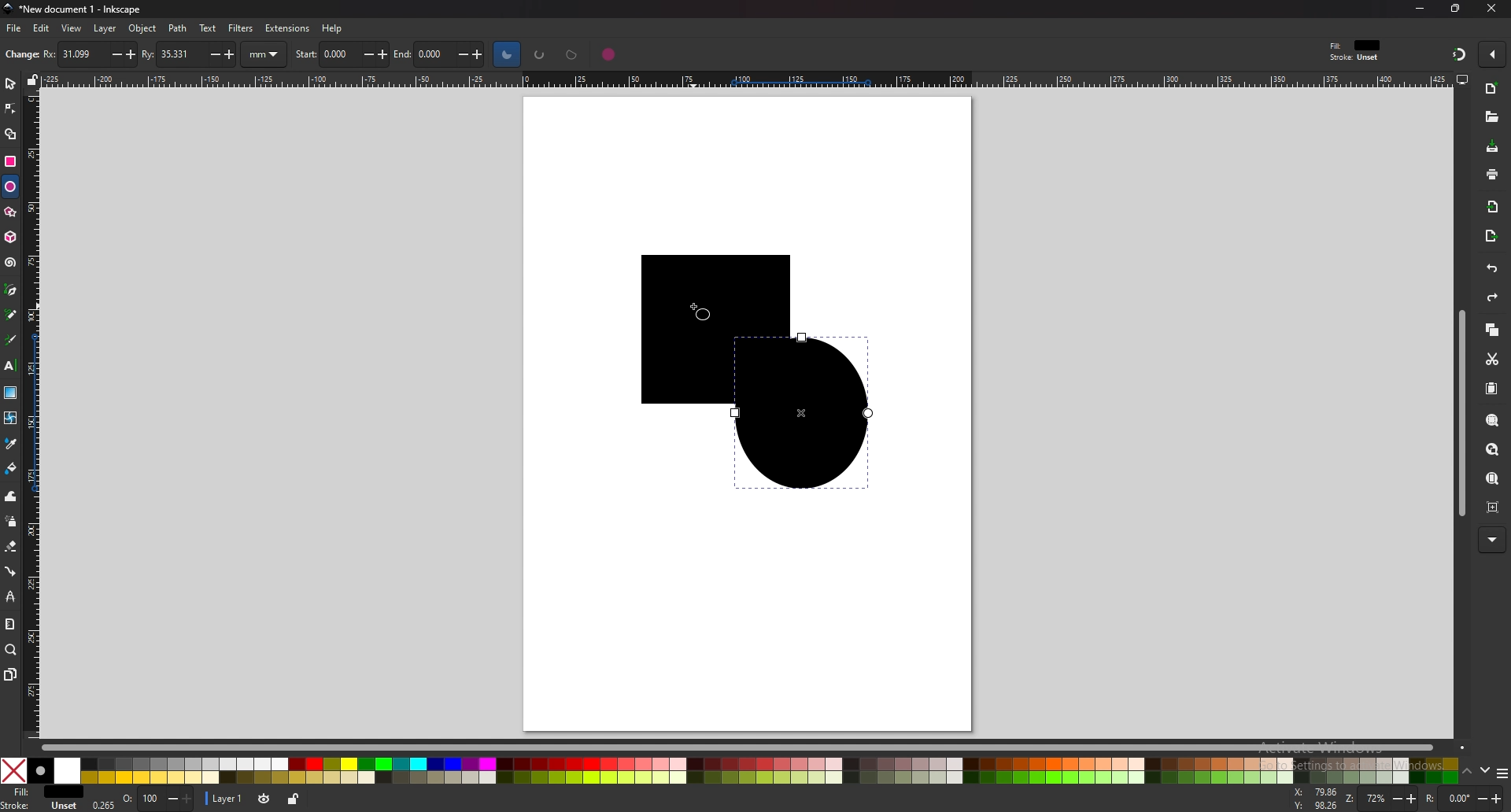 Image resolution: width=1511 pixels, height=812 pixels. Describe the element at coordinates (157, 799) in the screenshot. I see `opacity` at that location.